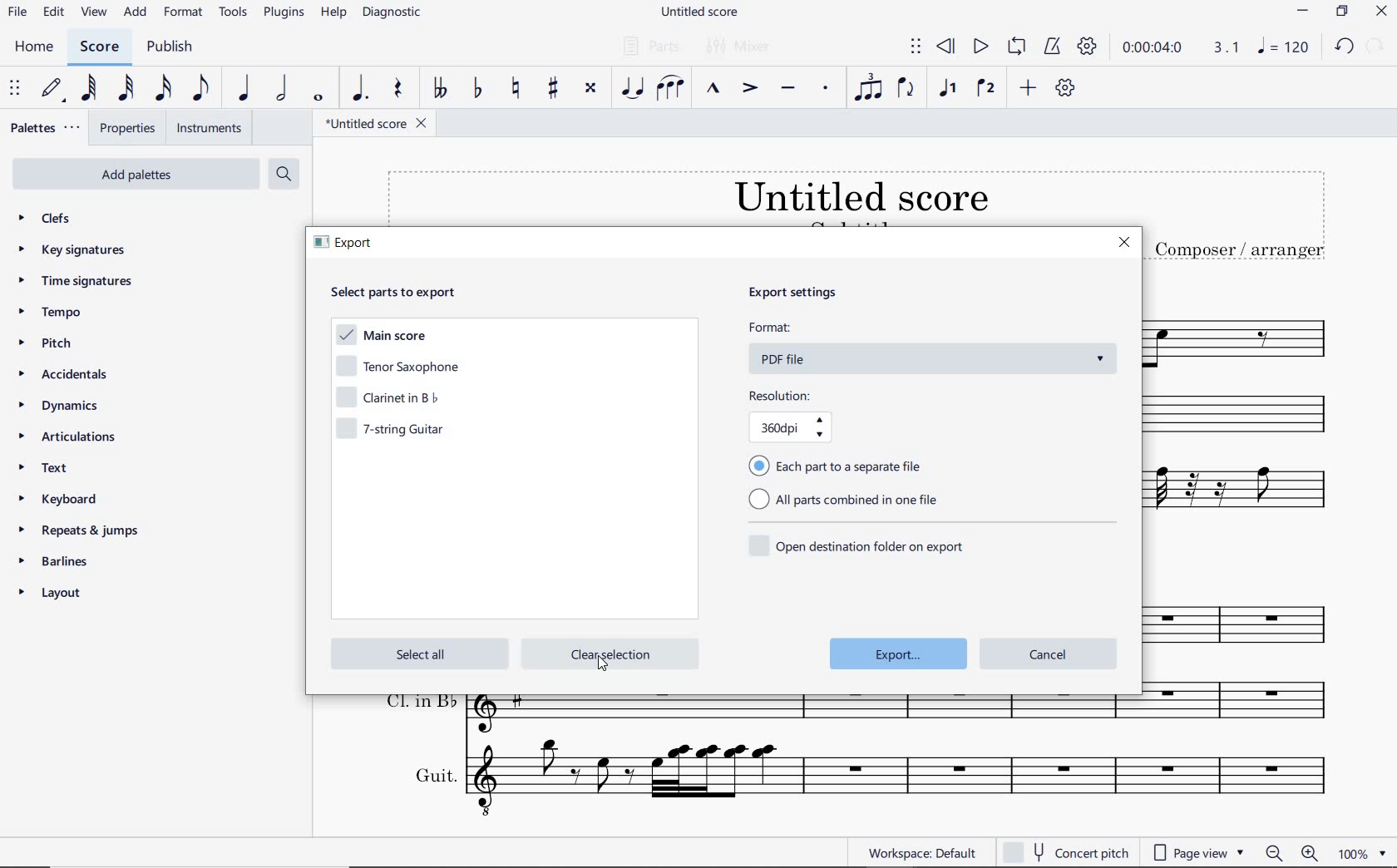 The width and height of the screenshot is (1397, 868). I want to click on key signatures, so click(72, 250).